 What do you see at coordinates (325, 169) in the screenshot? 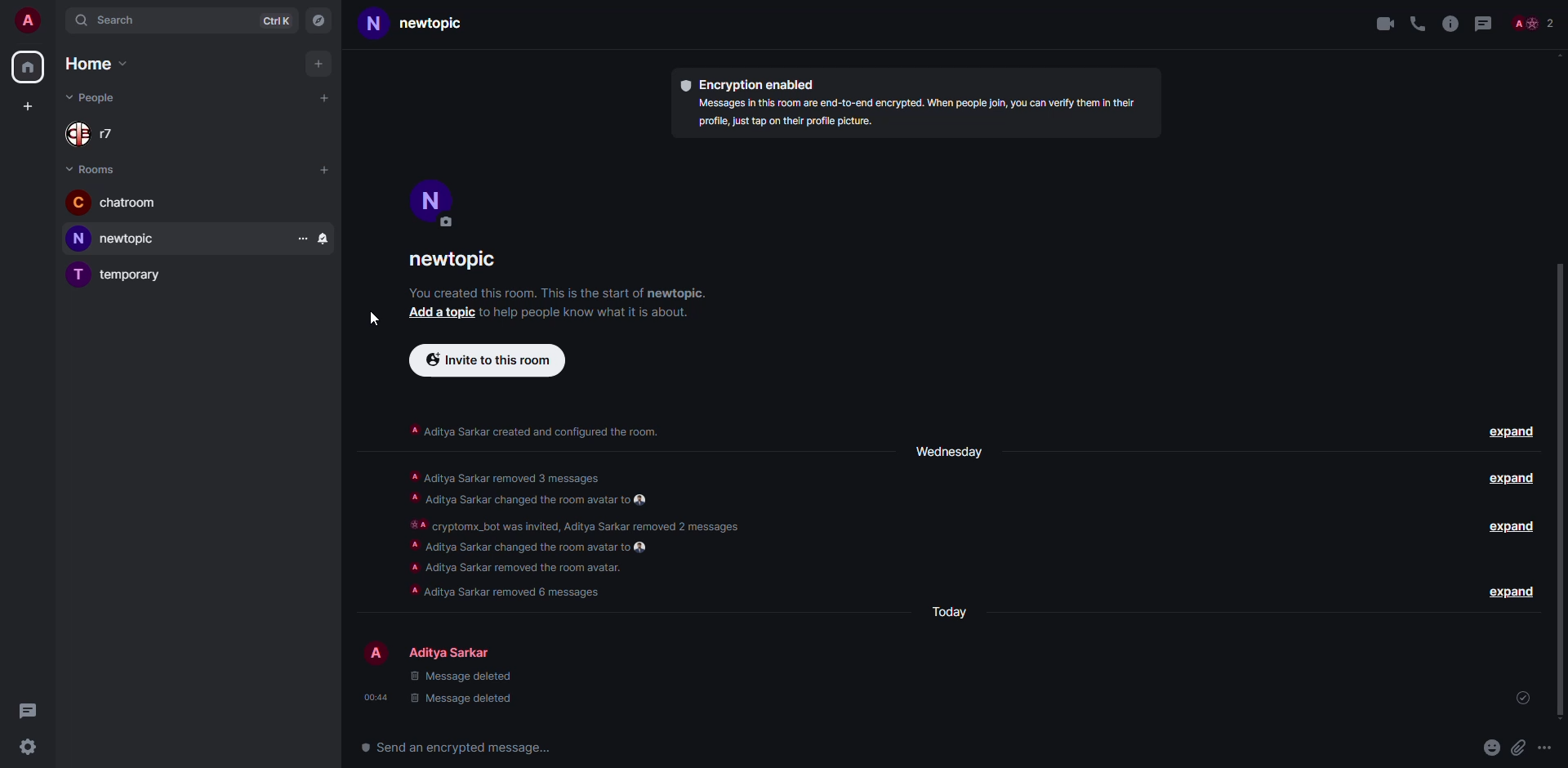
I see `add` at bounding box center [325, 169].